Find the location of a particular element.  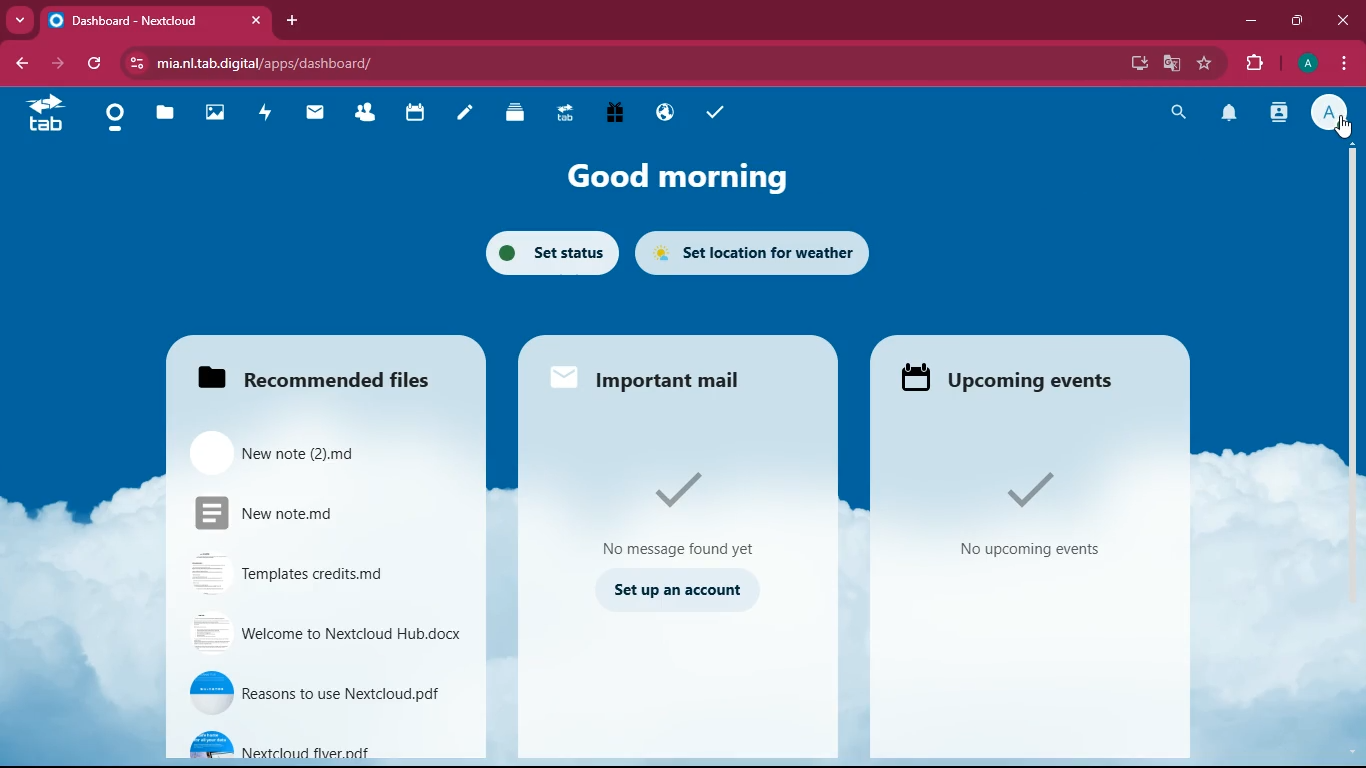

New note(2).md is located at coordinates (319, 451).